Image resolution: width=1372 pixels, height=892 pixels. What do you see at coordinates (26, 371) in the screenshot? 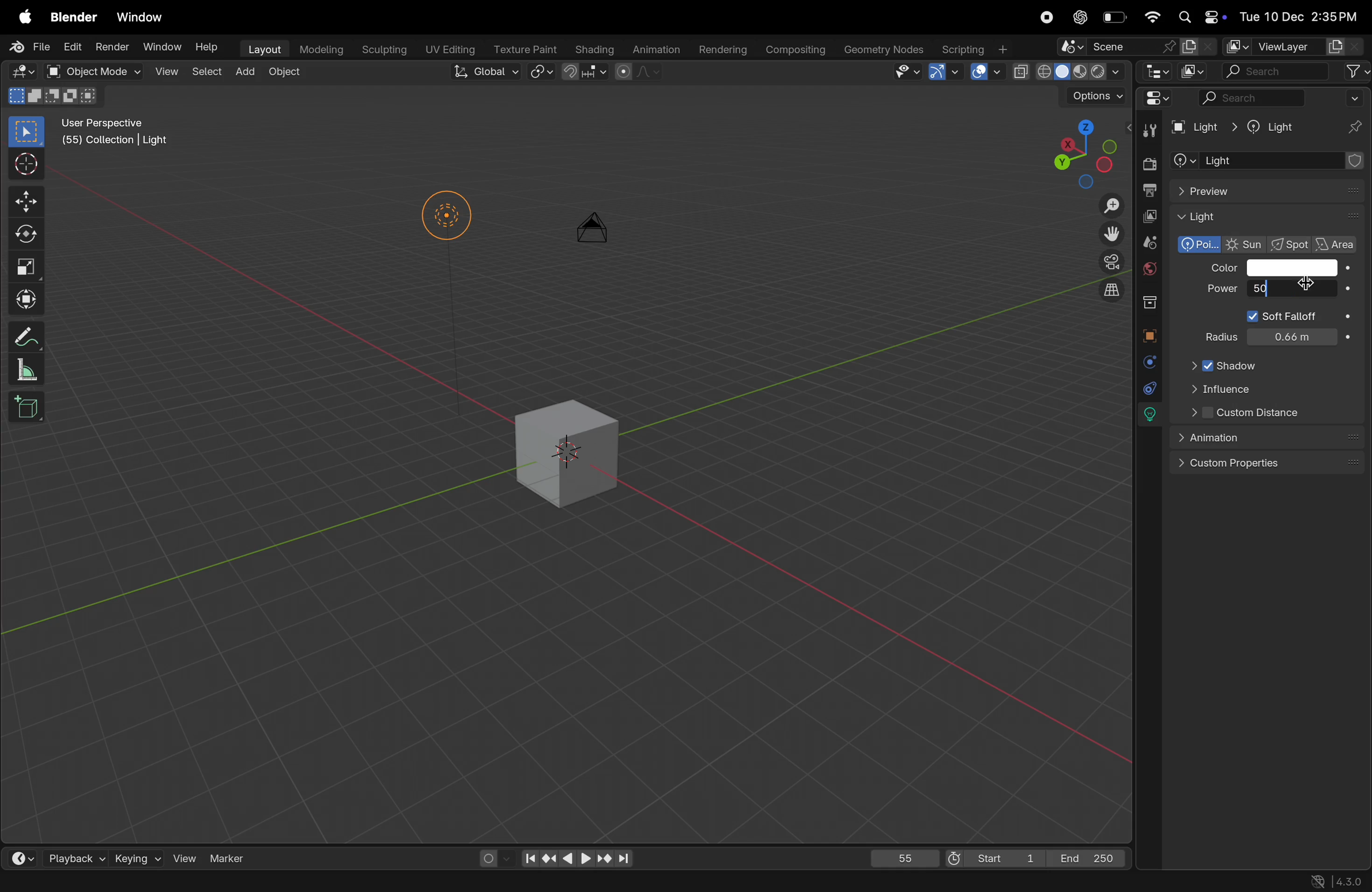
I see `scale` at bounding box center [26, 371].